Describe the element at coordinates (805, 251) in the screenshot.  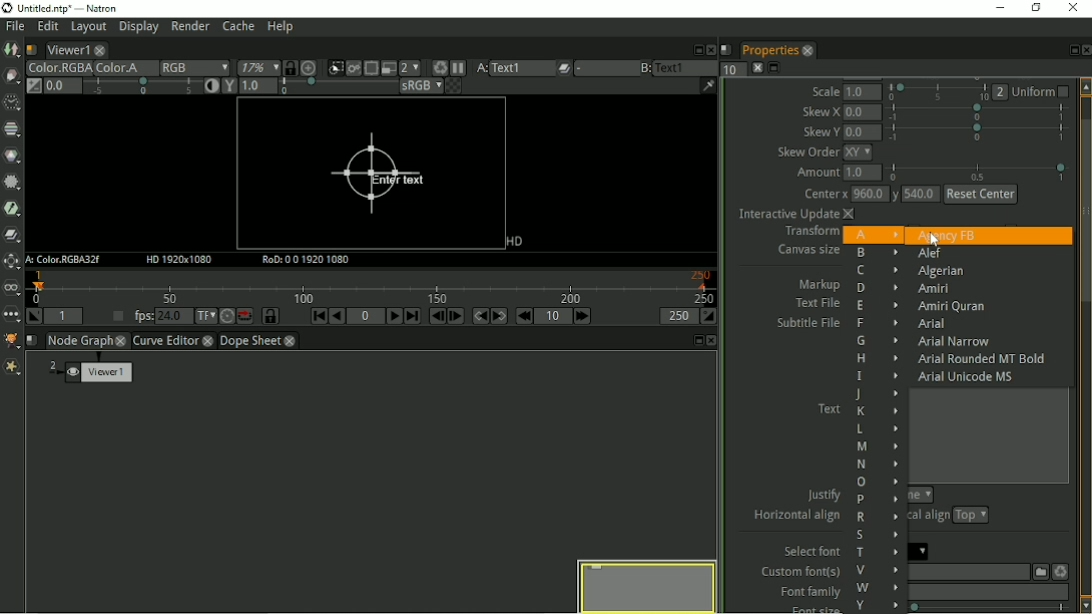
I see `Canvas size` at that location.